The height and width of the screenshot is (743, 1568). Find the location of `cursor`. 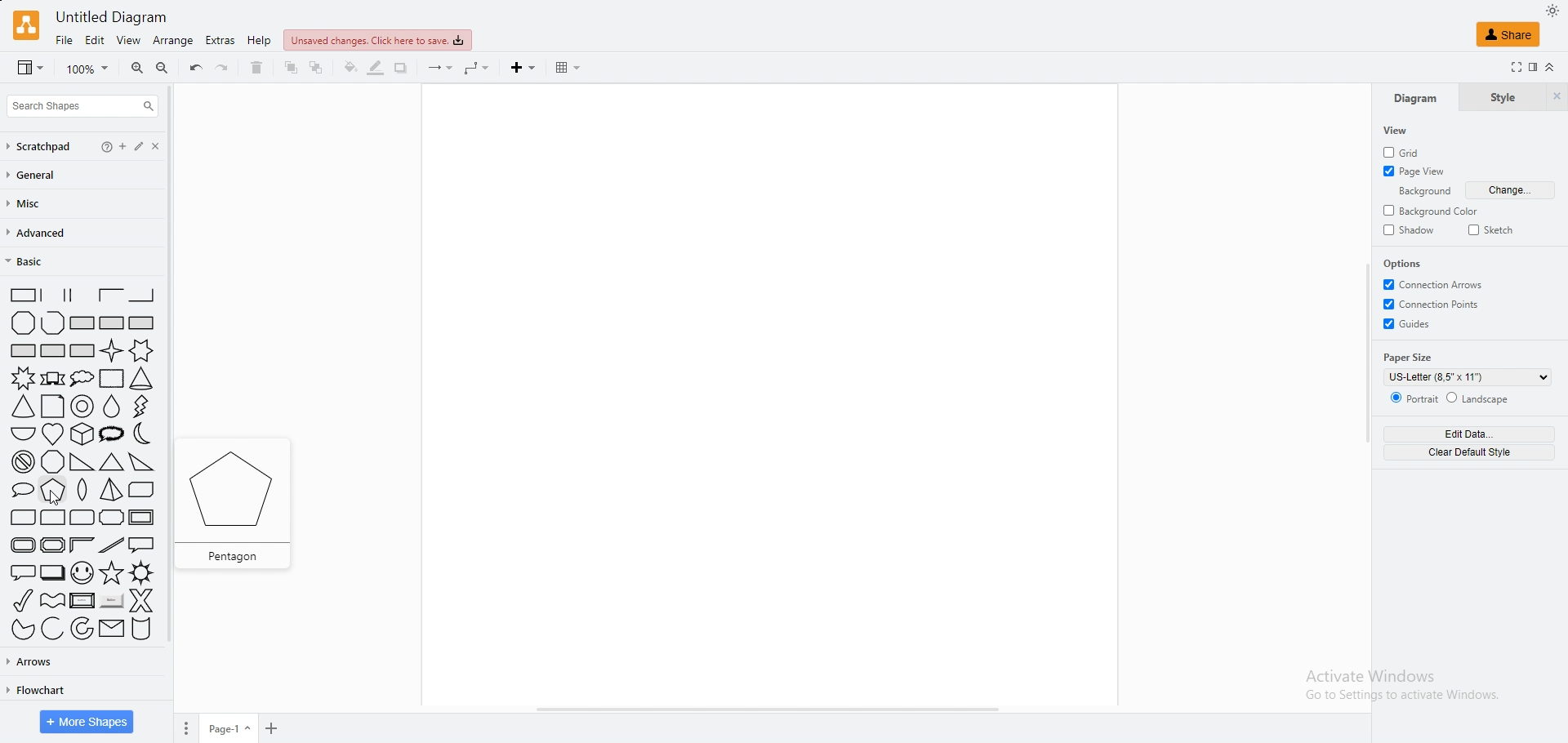

cursor is located at coordinates (62, 501).